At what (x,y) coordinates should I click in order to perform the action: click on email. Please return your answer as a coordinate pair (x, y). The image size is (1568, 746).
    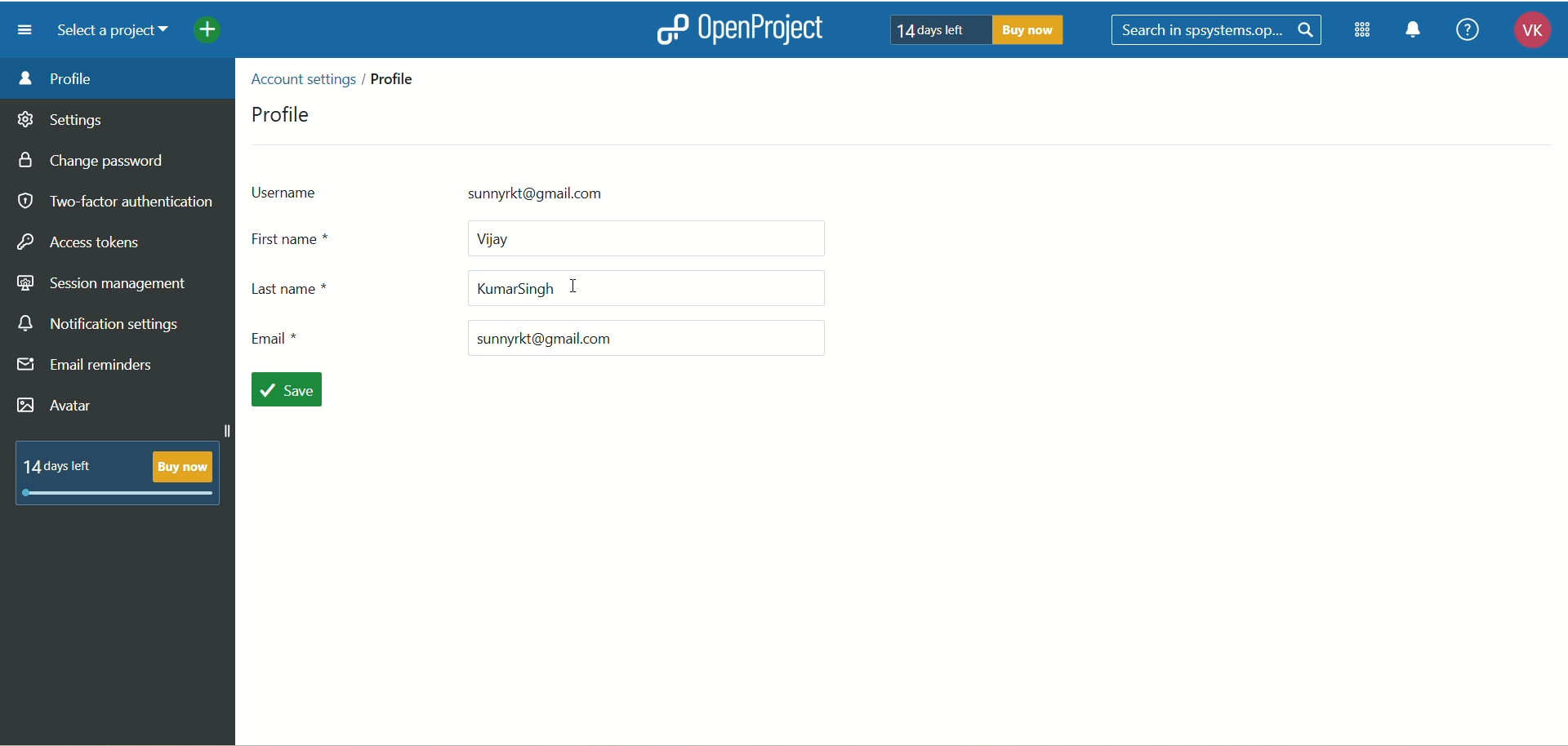
    Looking at the image, I should click on (533, 338).